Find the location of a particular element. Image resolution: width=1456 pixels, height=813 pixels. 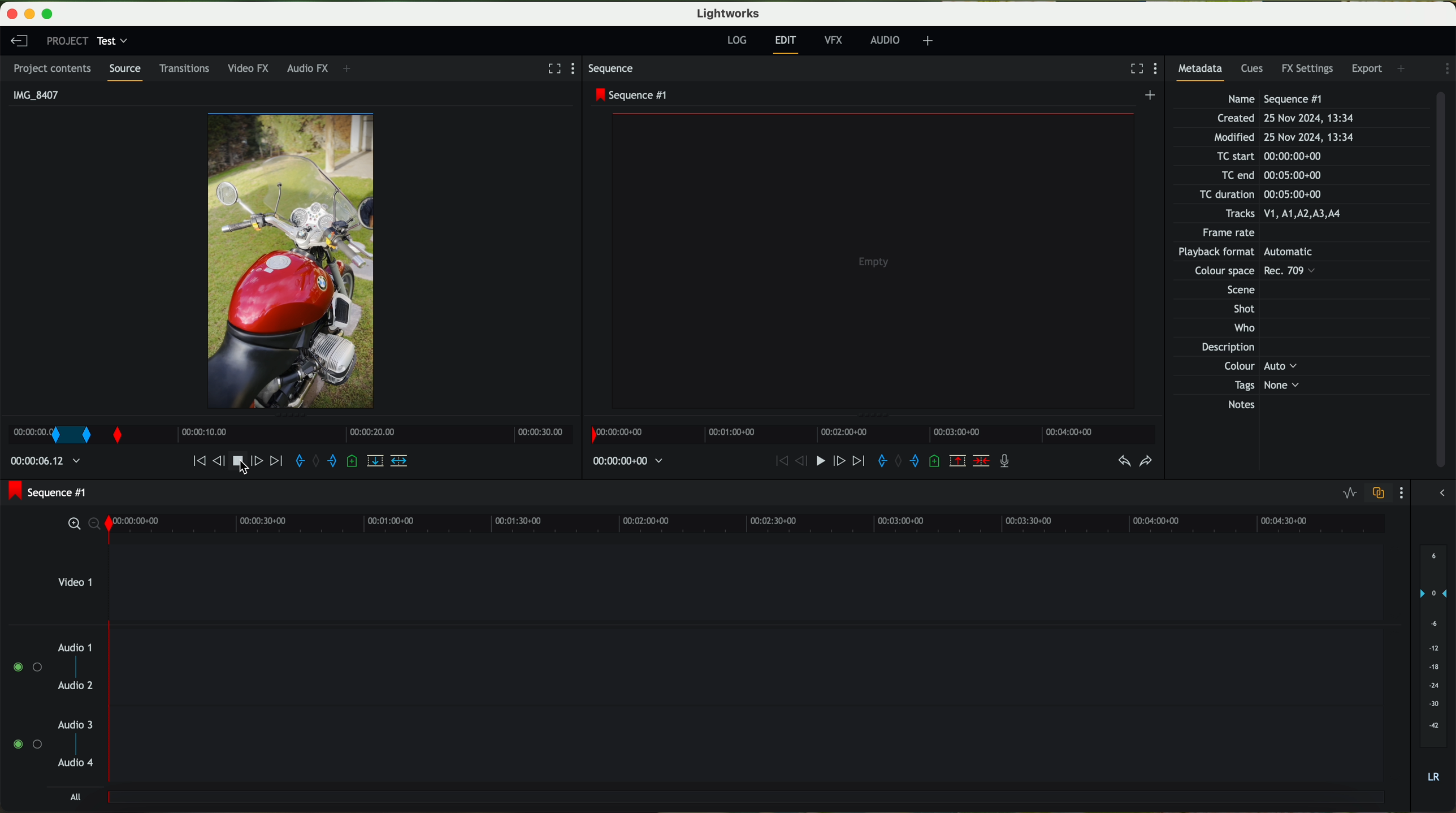

track is located at coordinates (749, 663).